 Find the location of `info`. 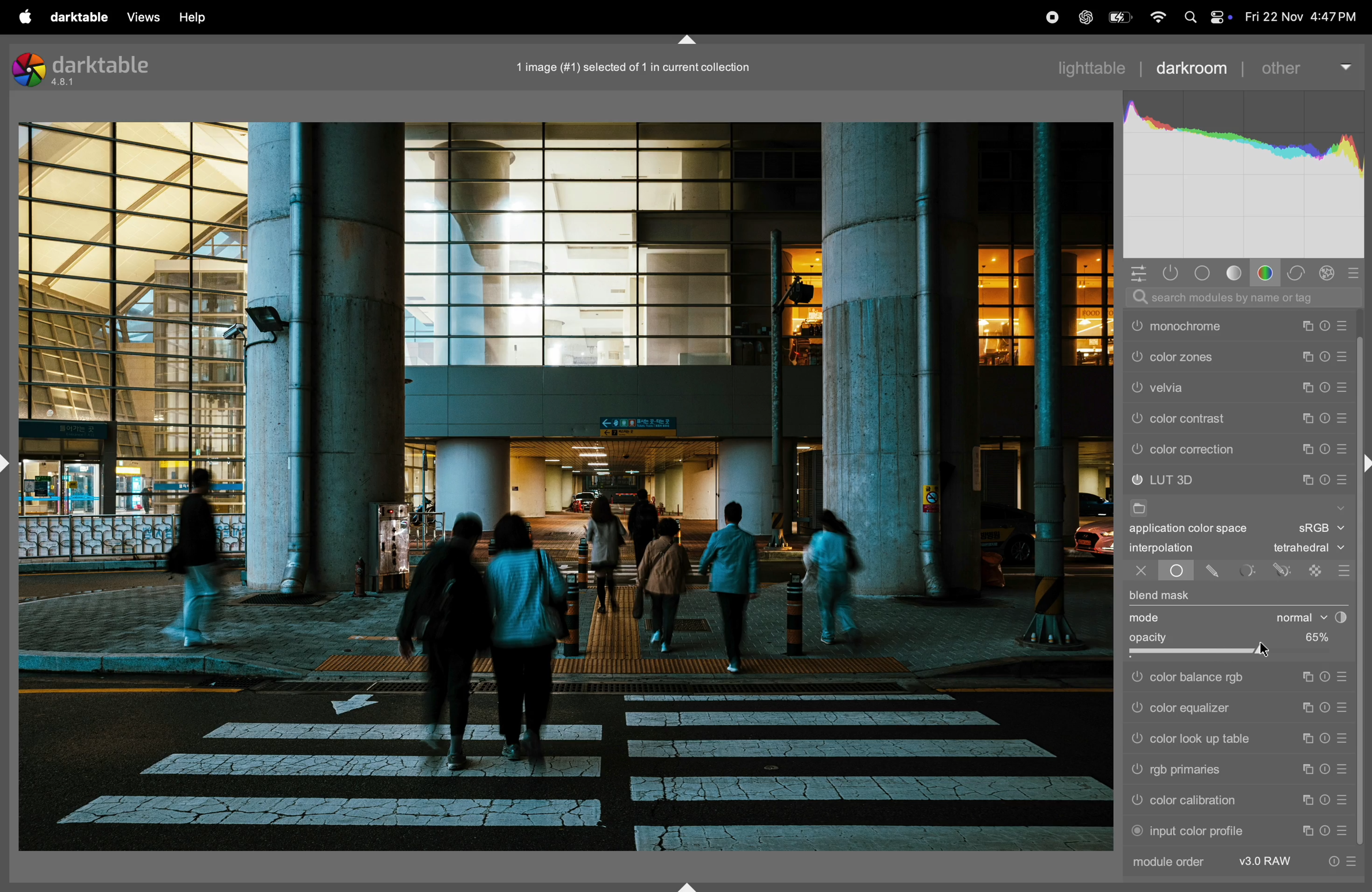

info is located at coordinates (1347, 860).